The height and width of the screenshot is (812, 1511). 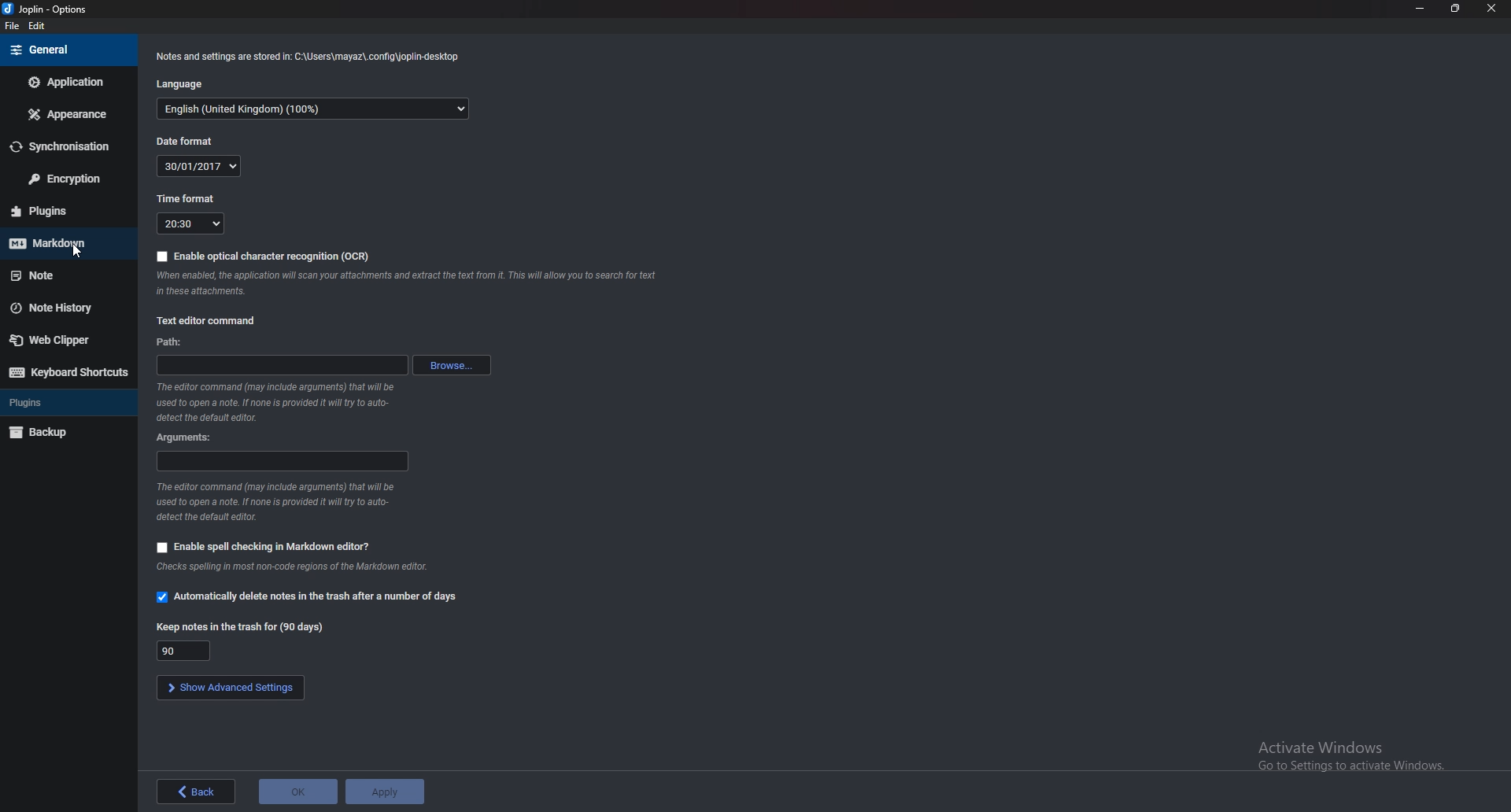 I want to click on Synchronization, so click(x=68, y=146).